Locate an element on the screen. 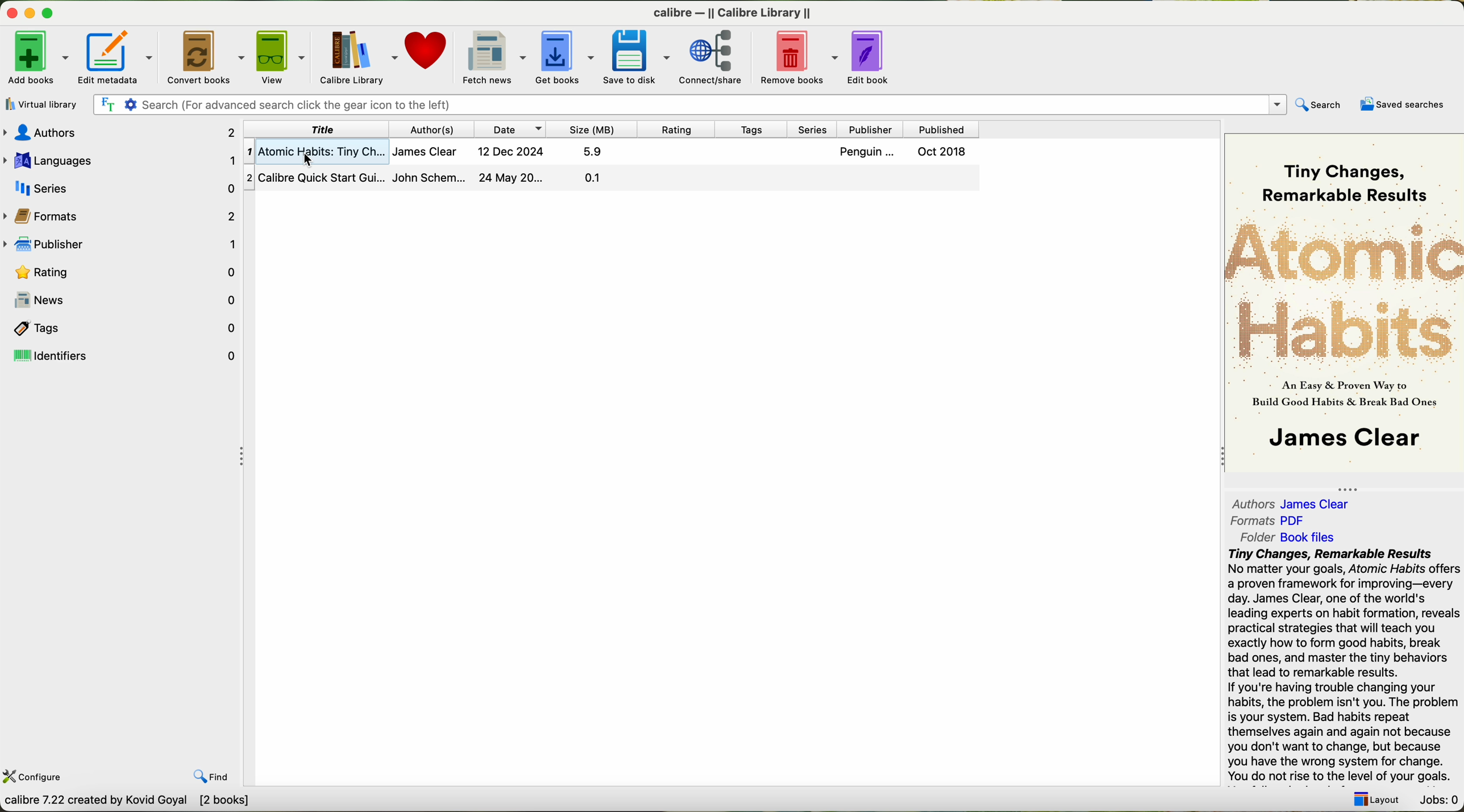 The image size is (1464, 812). published is located at coordinates (939, 129).